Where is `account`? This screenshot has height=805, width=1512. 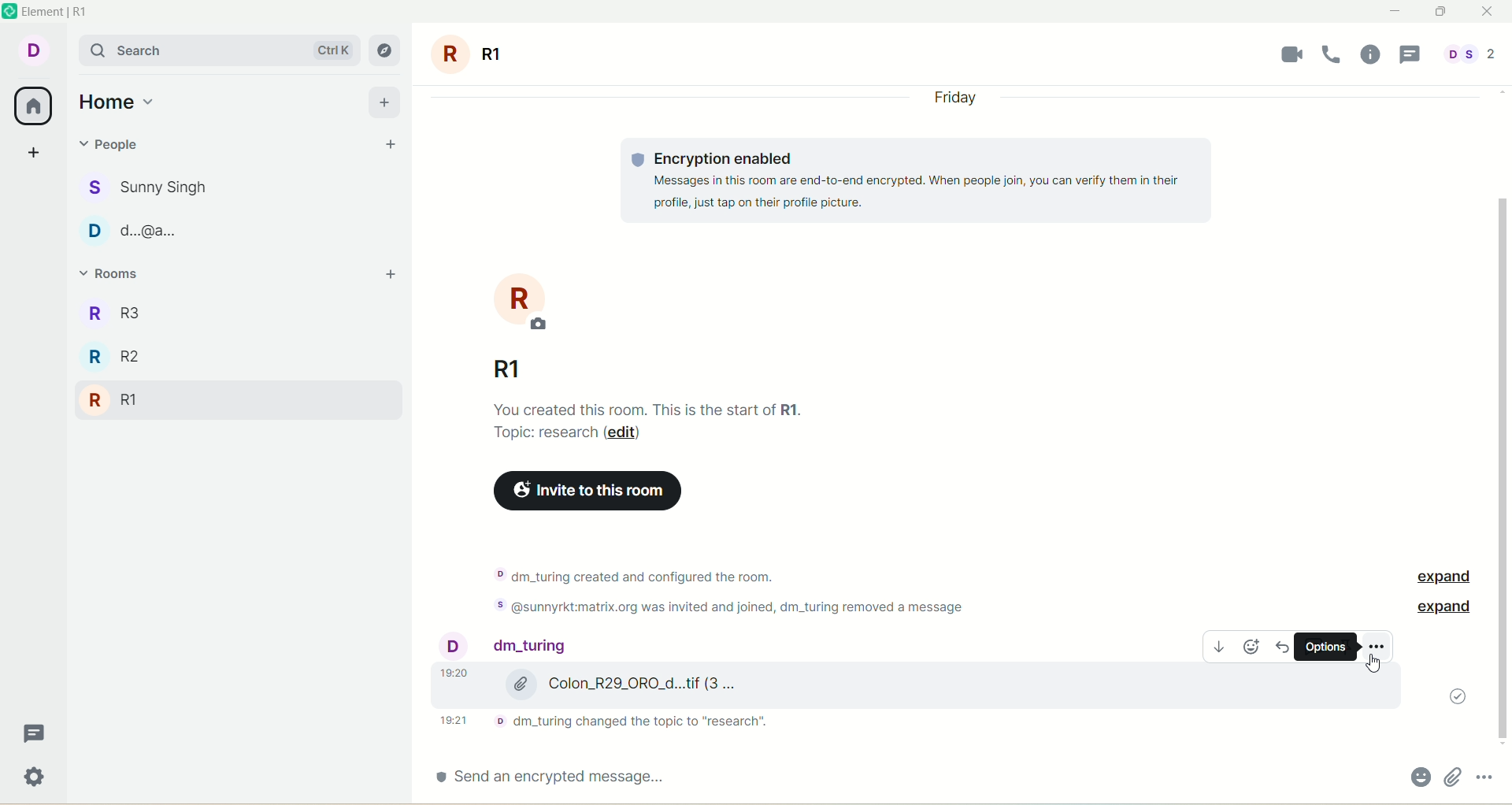 account is located at coordinates (31, 49).